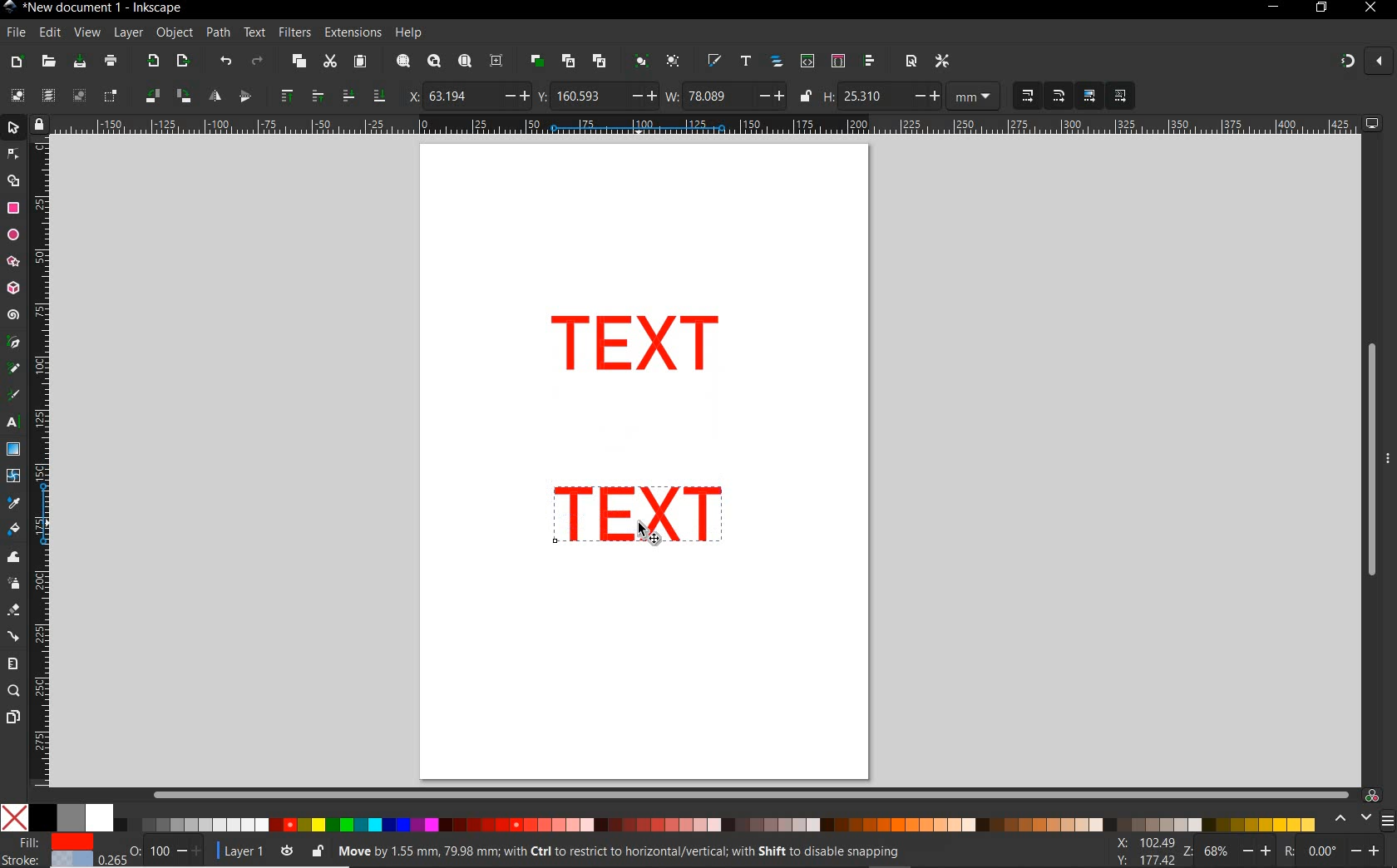 This screenshot has height=868, width=1397. I want to click on print, so click(109, 62).